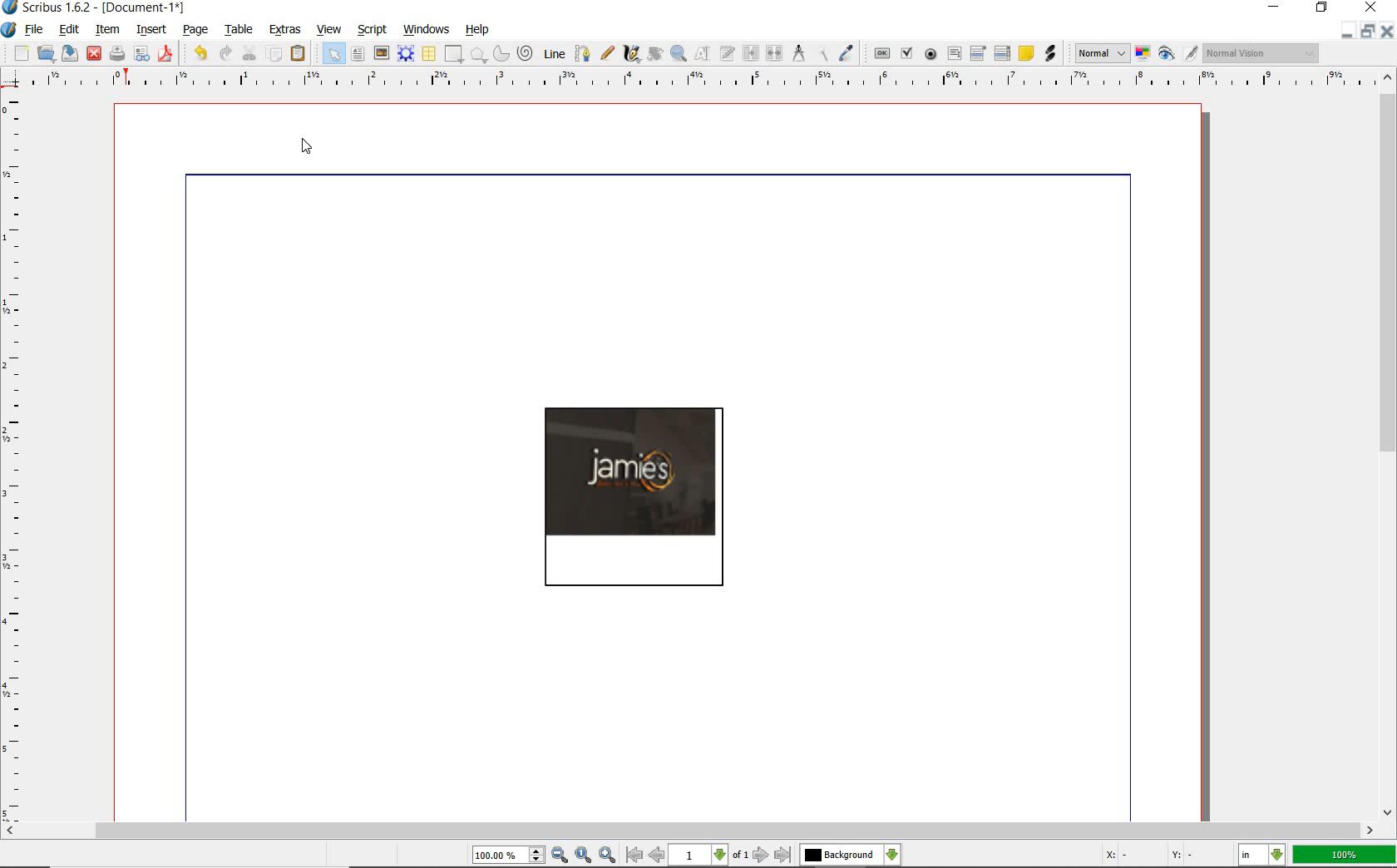 The width and height of the screenshot is (1397, 868). Describe the element at coordinates (476, 30) in the screenshot. I see `help` at that location.